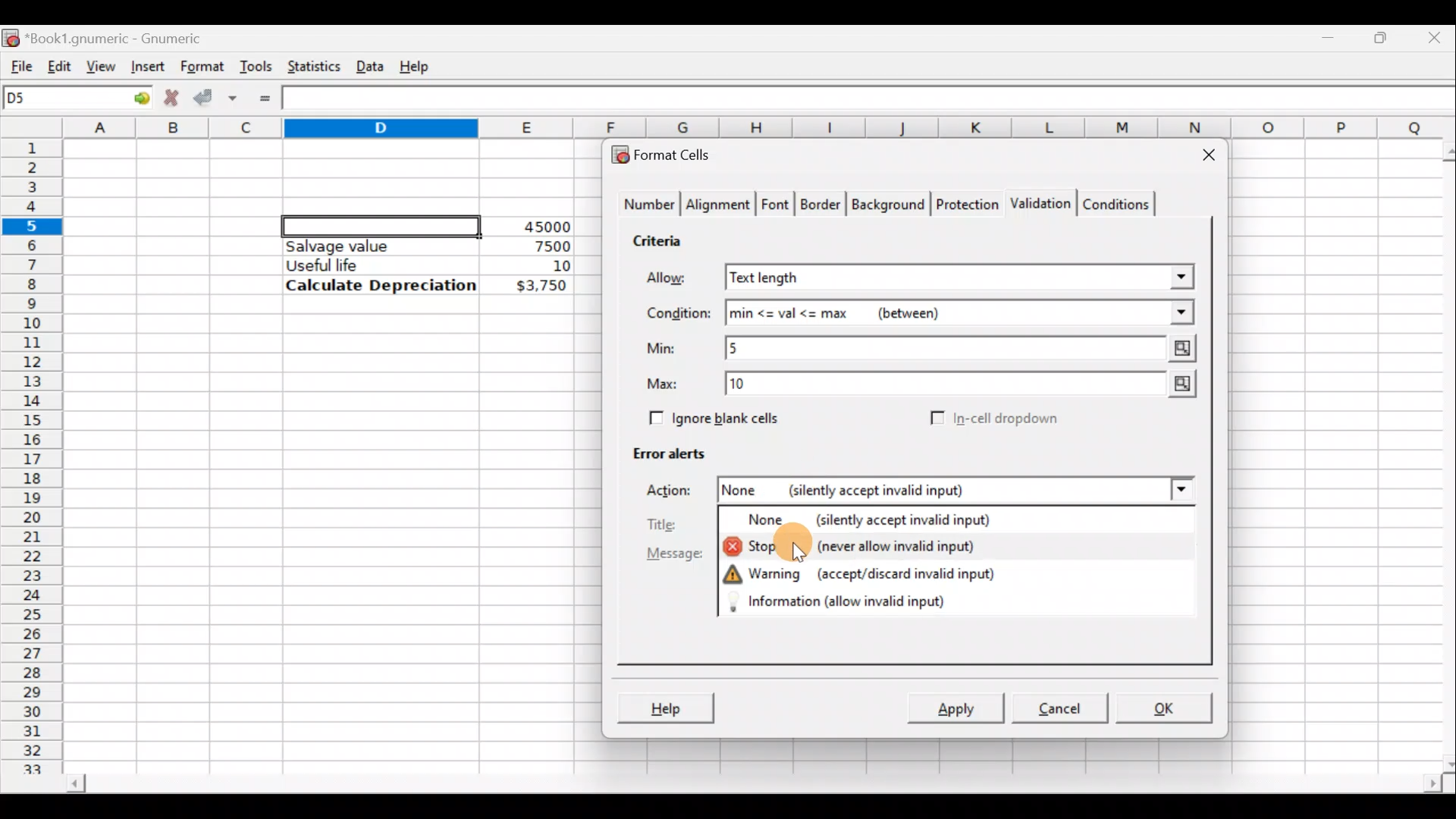 The height and width of the screenshot is (819, 1456). What do you see at coordinates (851, 607) in the screenshot?
I see `Information (allow invalid input)` at bounding box center [851, 607].